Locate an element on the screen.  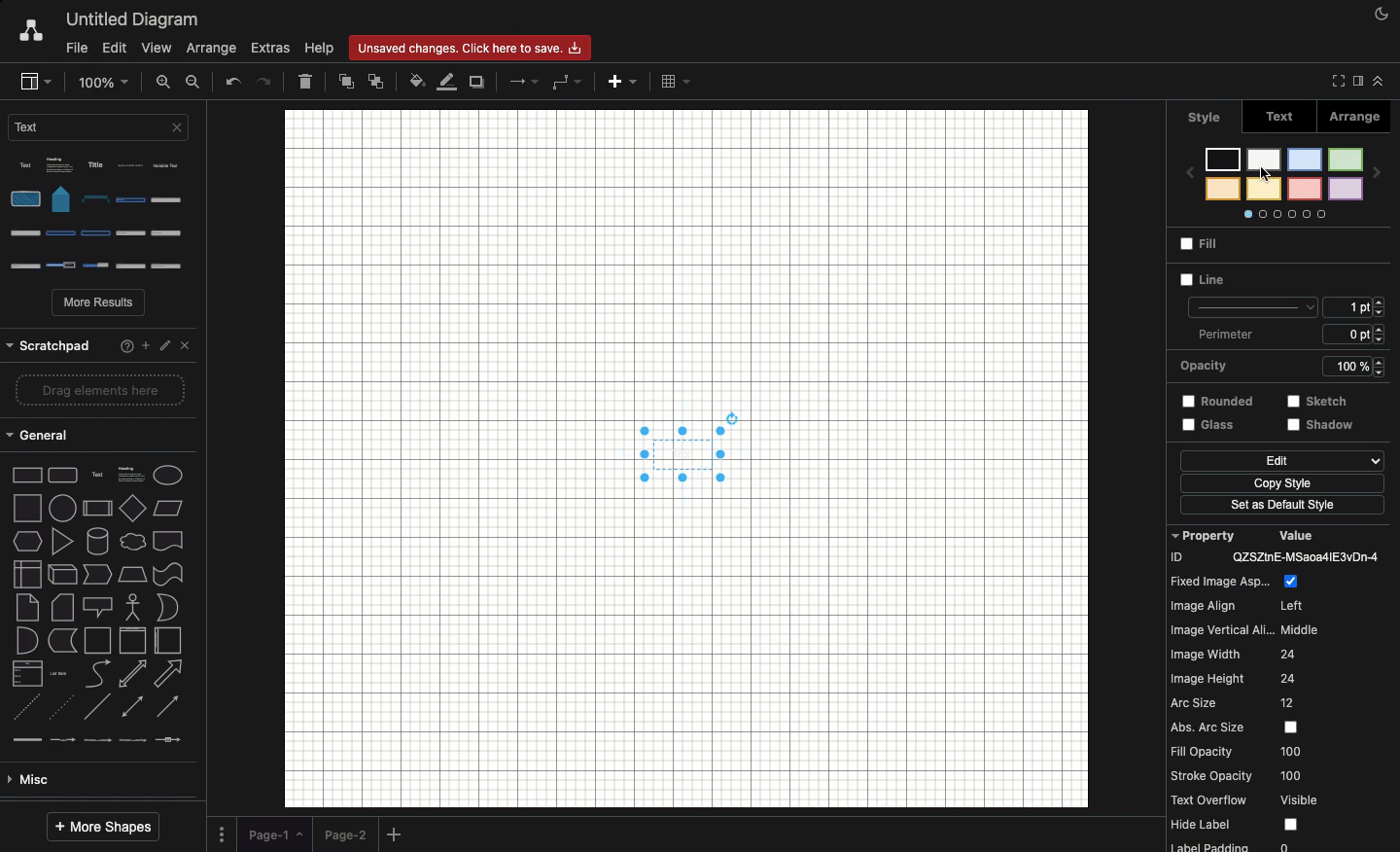
Add is located at coordinates (397, 835).